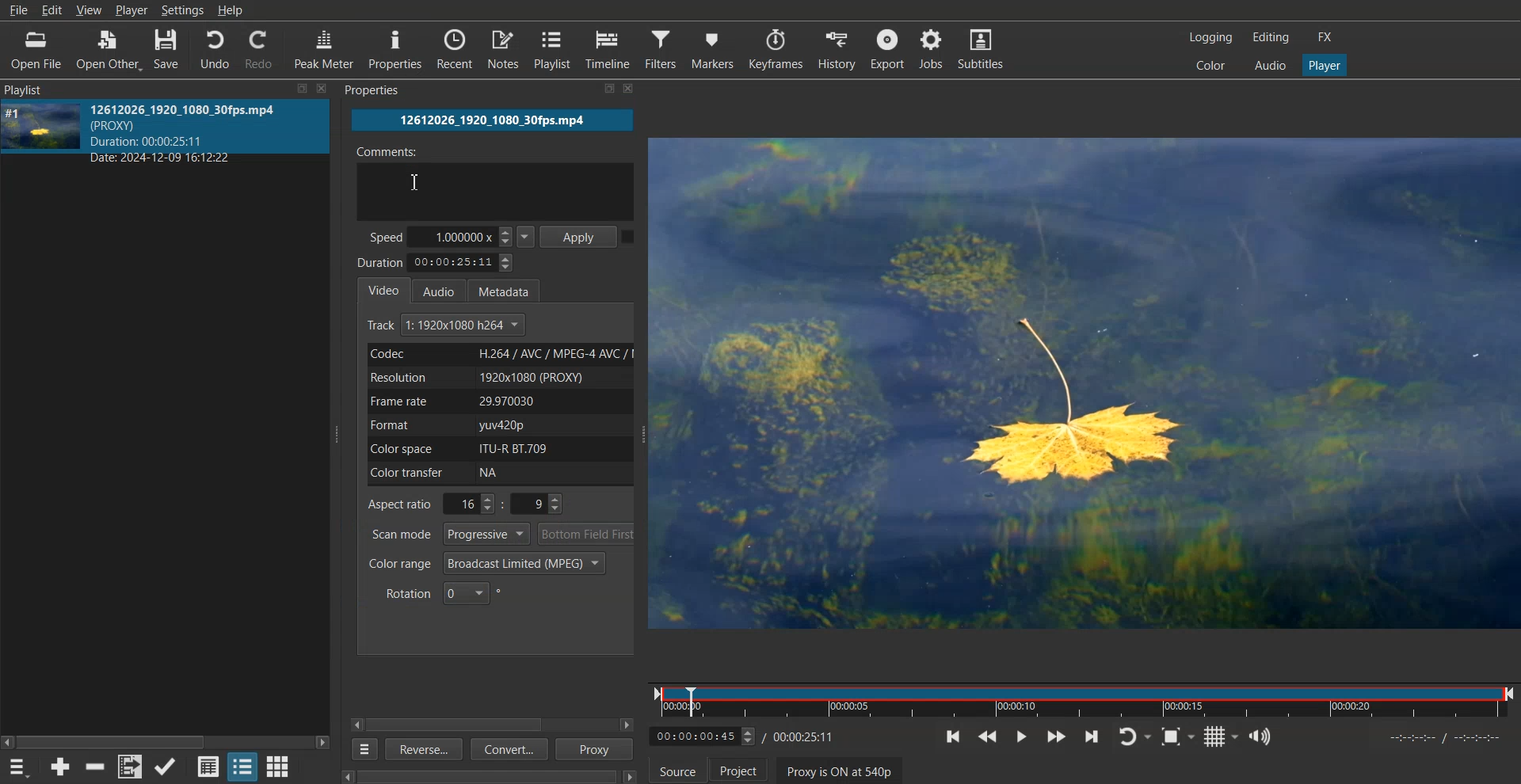 This screenshot has width=1521, height=784. I want to click on MP4 cover image, so click(40, 125).